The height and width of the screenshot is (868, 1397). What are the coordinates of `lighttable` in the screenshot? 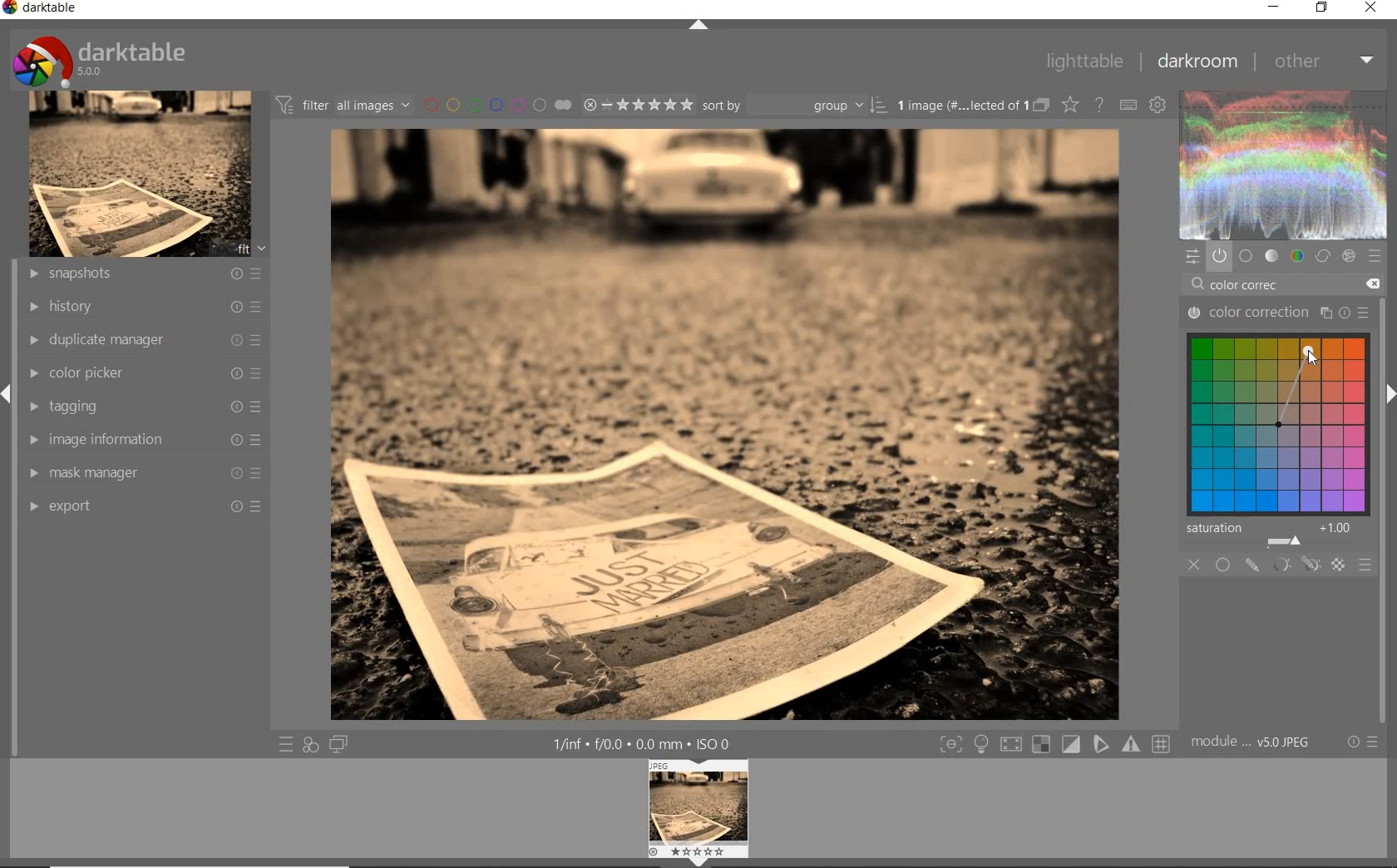 It's located at (1085, 62).